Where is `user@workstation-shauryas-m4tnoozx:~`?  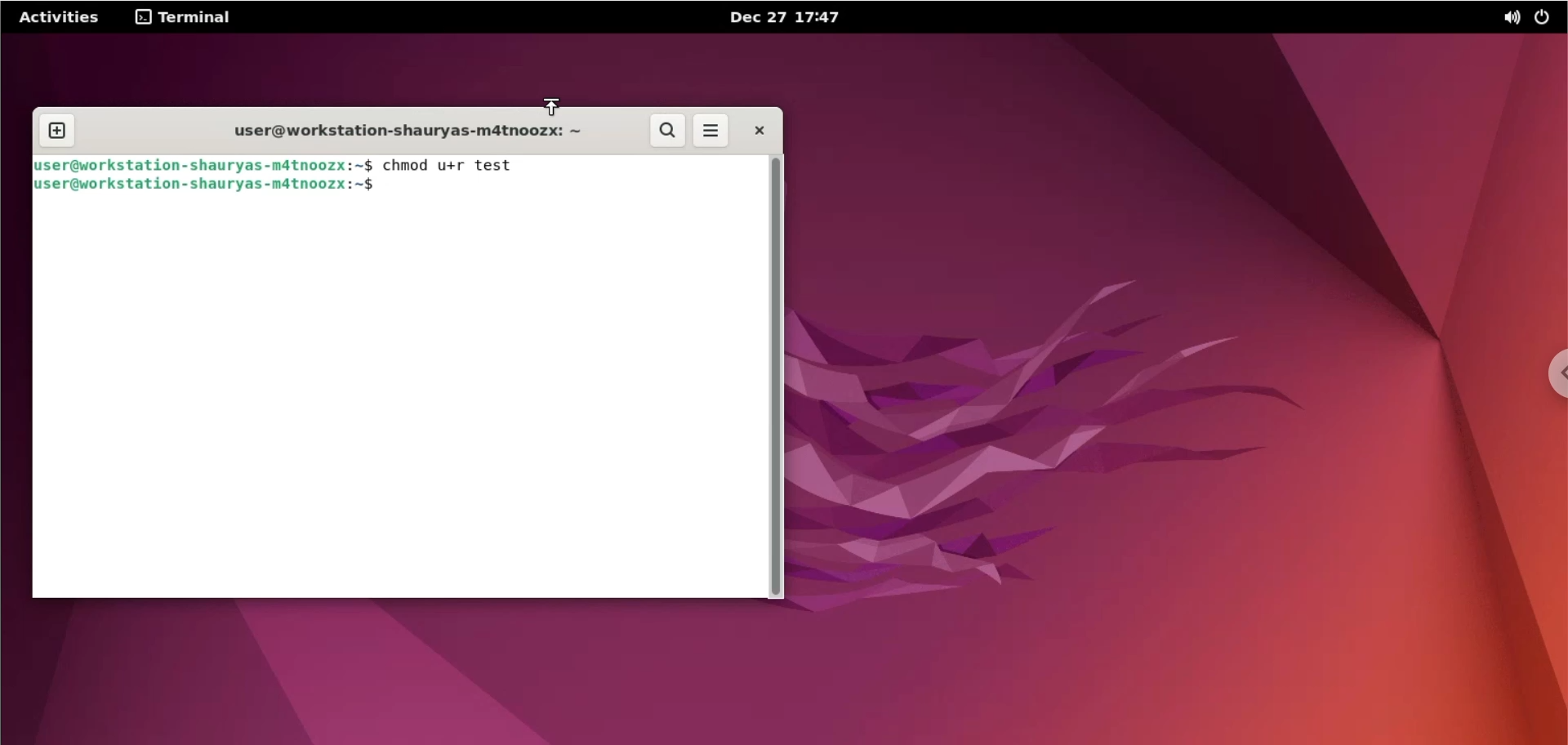 user@workstation-shauryas-m4tnoozx:~ is located at coordinates (400, 127).